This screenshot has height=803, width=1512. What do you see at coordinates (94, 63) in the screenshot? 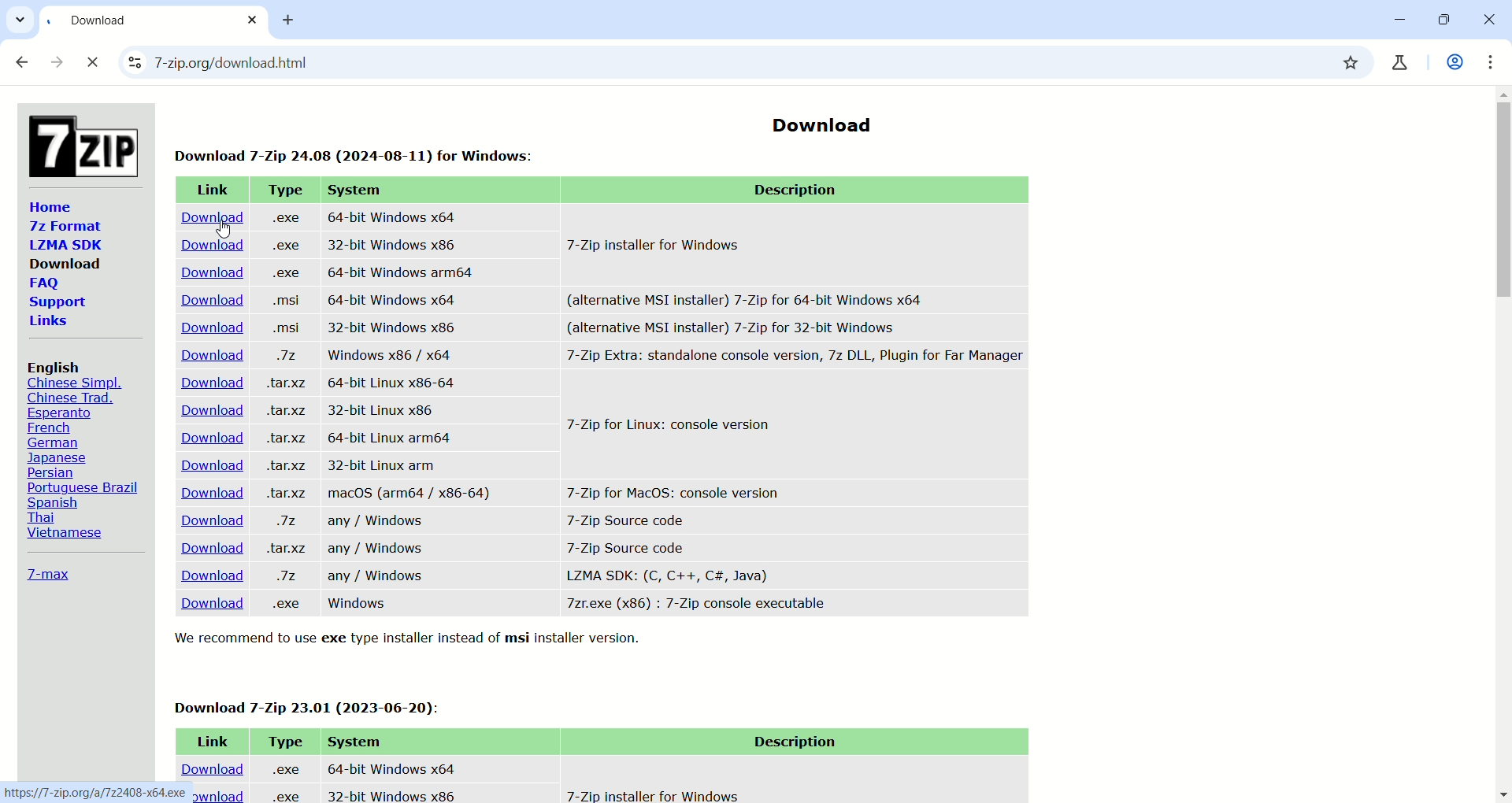
I see `close` at bounding box center [94, 63].